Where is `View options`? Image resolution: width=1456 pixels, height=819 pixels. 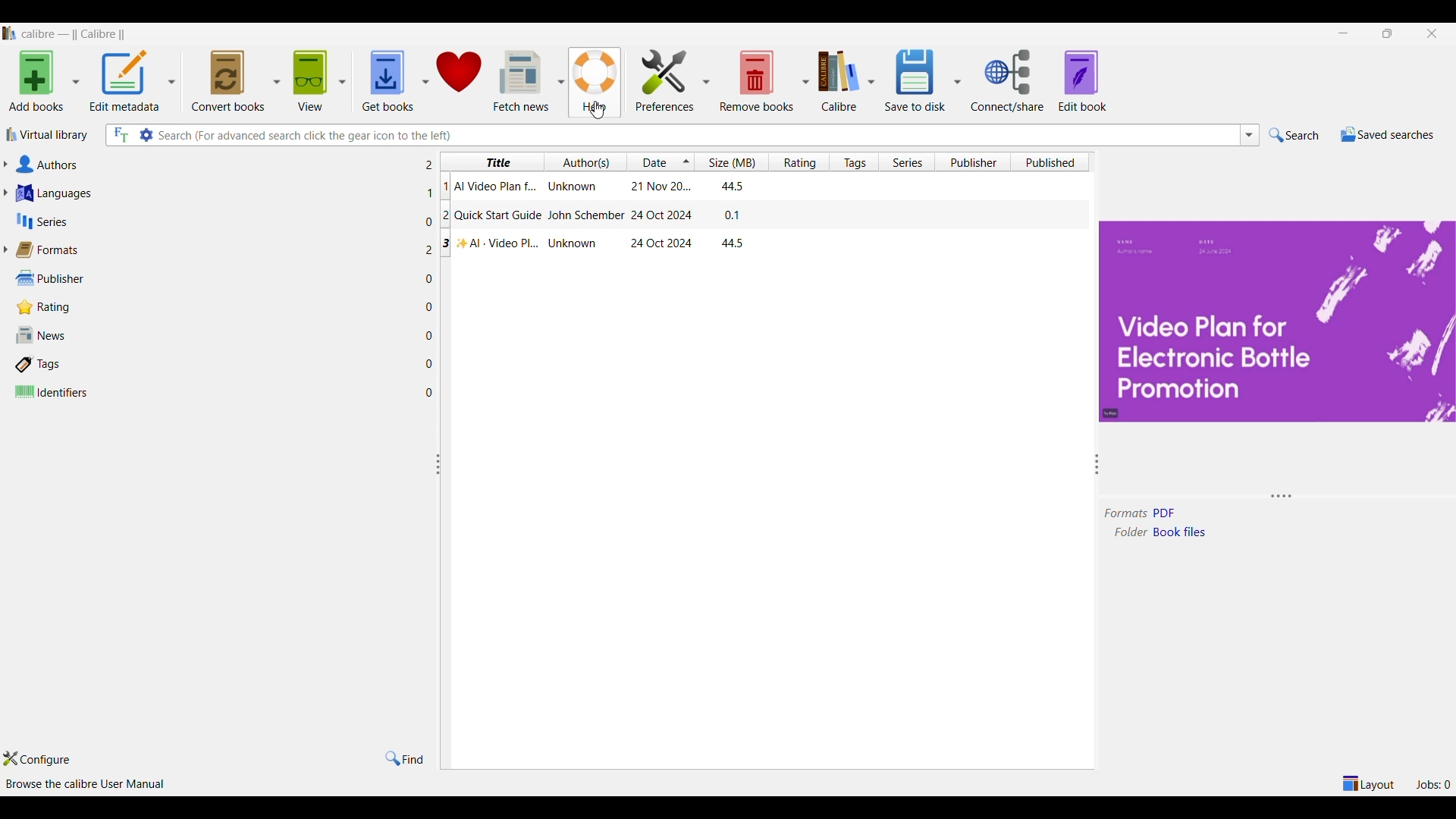 View options is located at coordinates (340, 80).